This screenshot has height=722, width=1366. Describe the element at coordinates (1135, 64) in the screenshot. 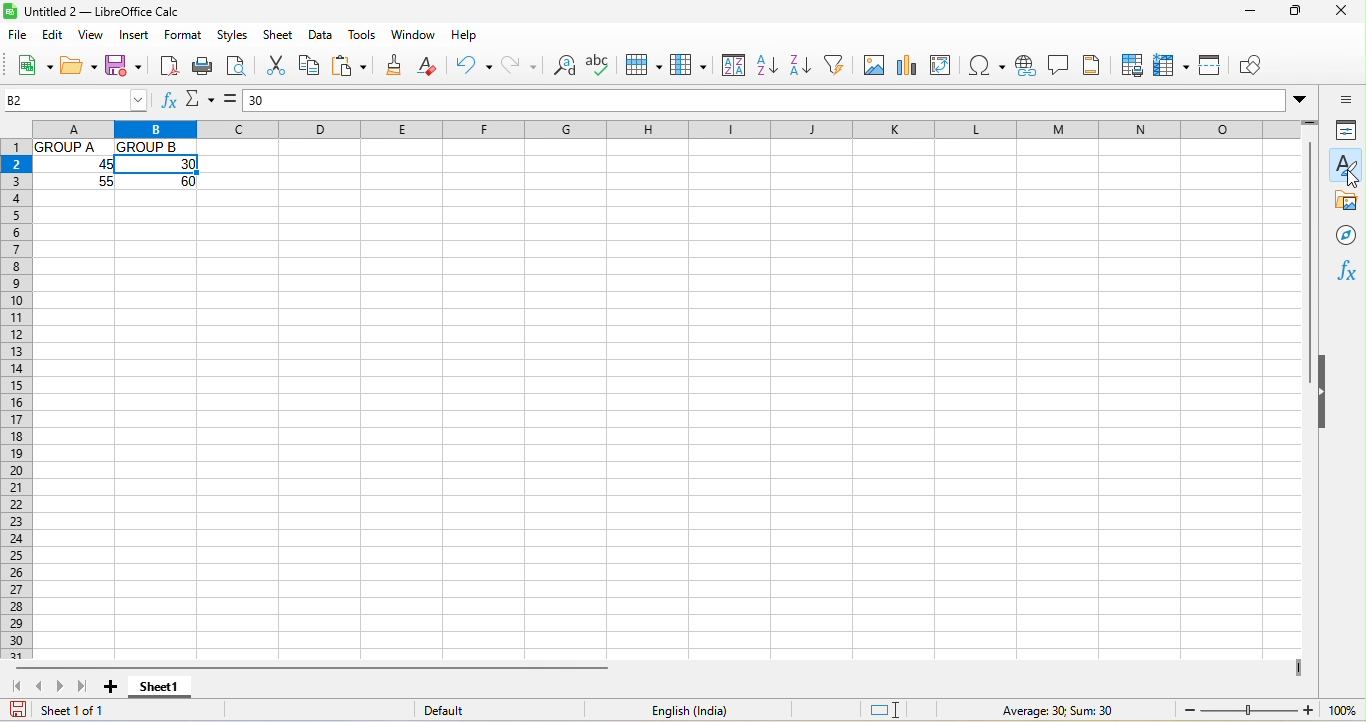

I see `print area` at that location.